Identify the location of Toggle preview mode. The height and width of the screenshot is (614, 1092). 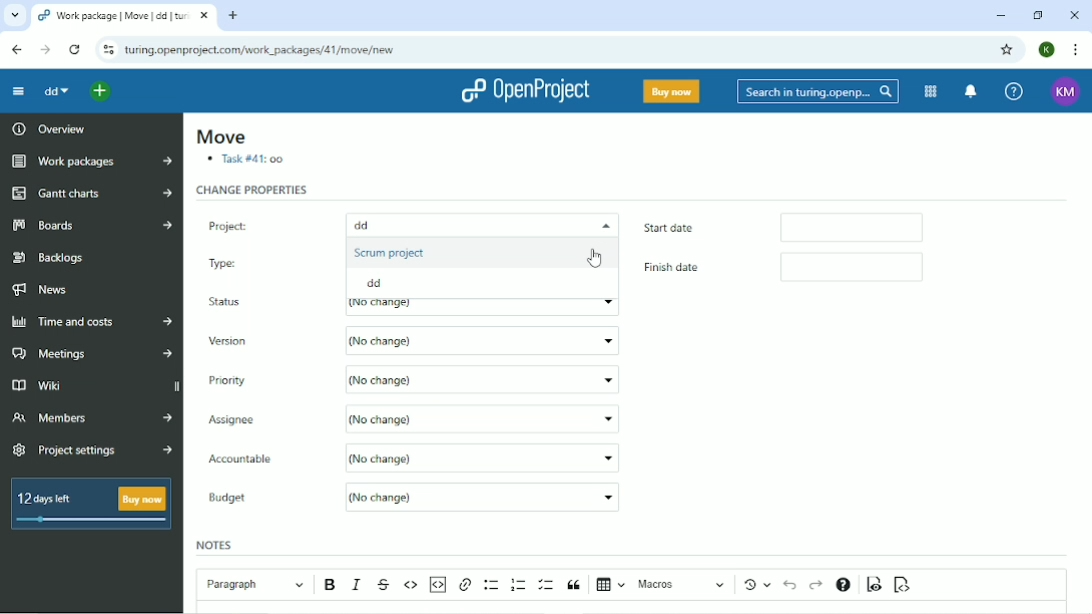
(875, 584).